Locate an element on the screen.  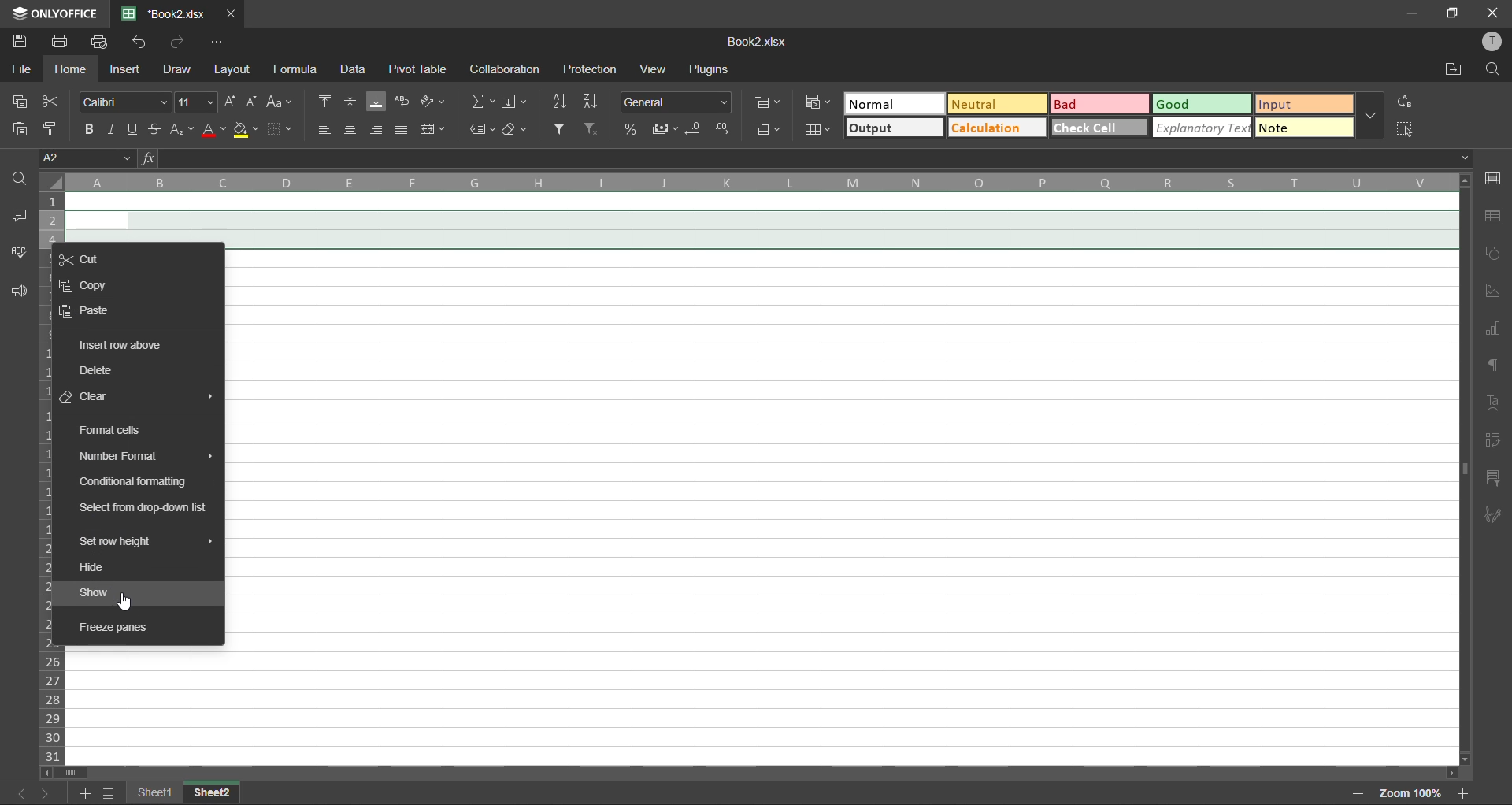
named ranges is located at coordinates (476, 129).